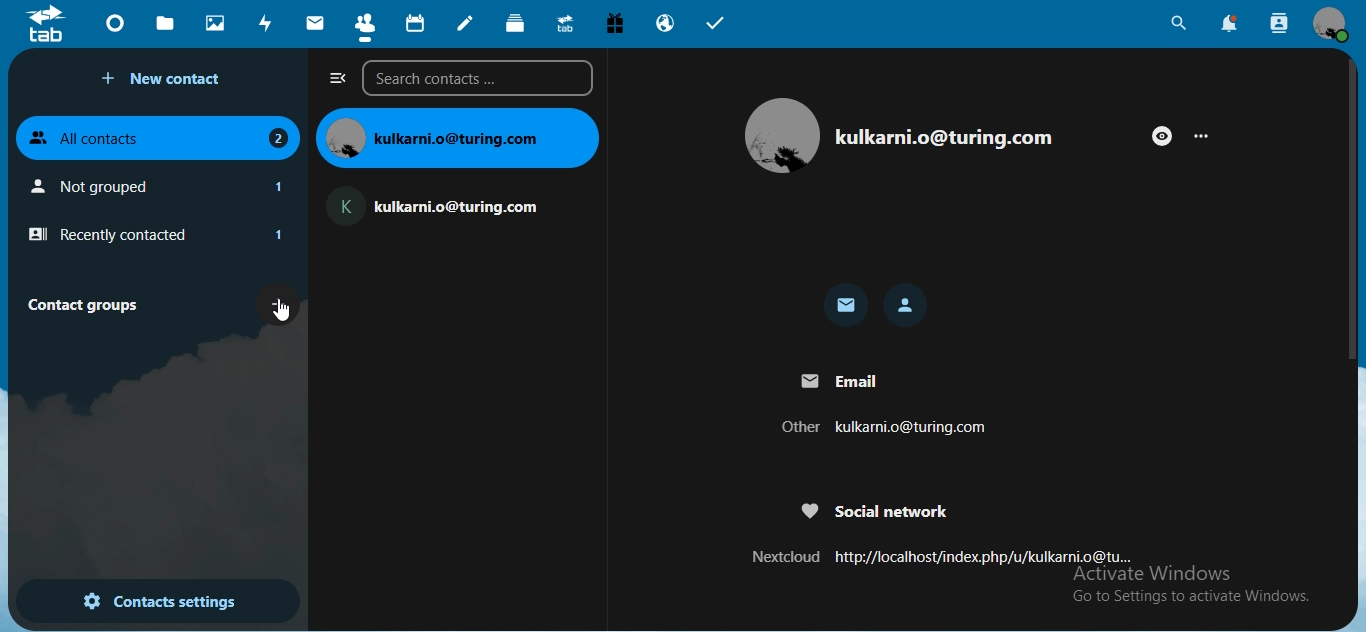  Describe the element at coordinates (879, 429) in the screenshot. I see `Other kulkamni.o@turing.com` at that location.